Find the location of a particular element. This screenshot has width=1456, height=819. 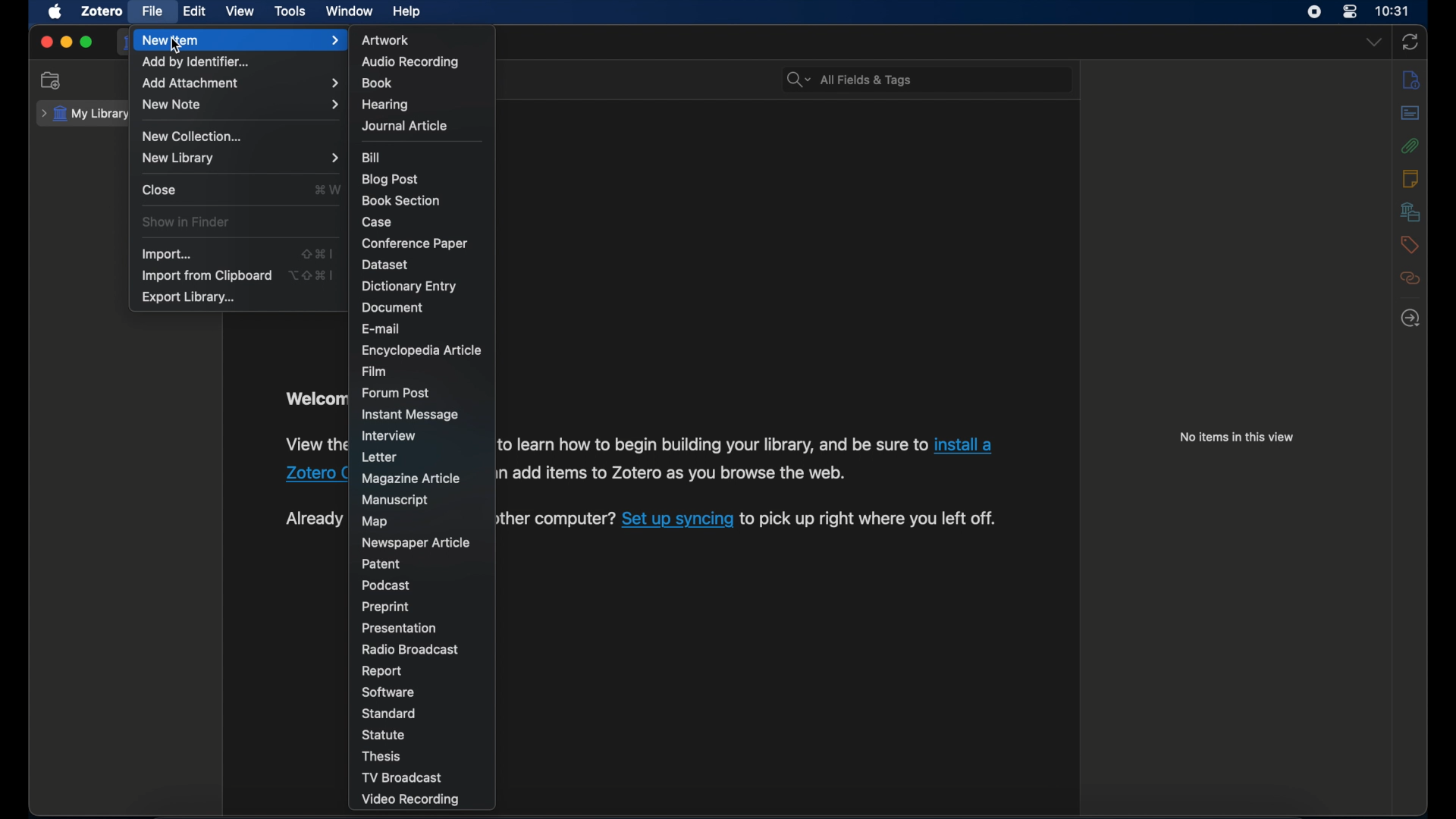

control center is located at coordinates (1351, 11).